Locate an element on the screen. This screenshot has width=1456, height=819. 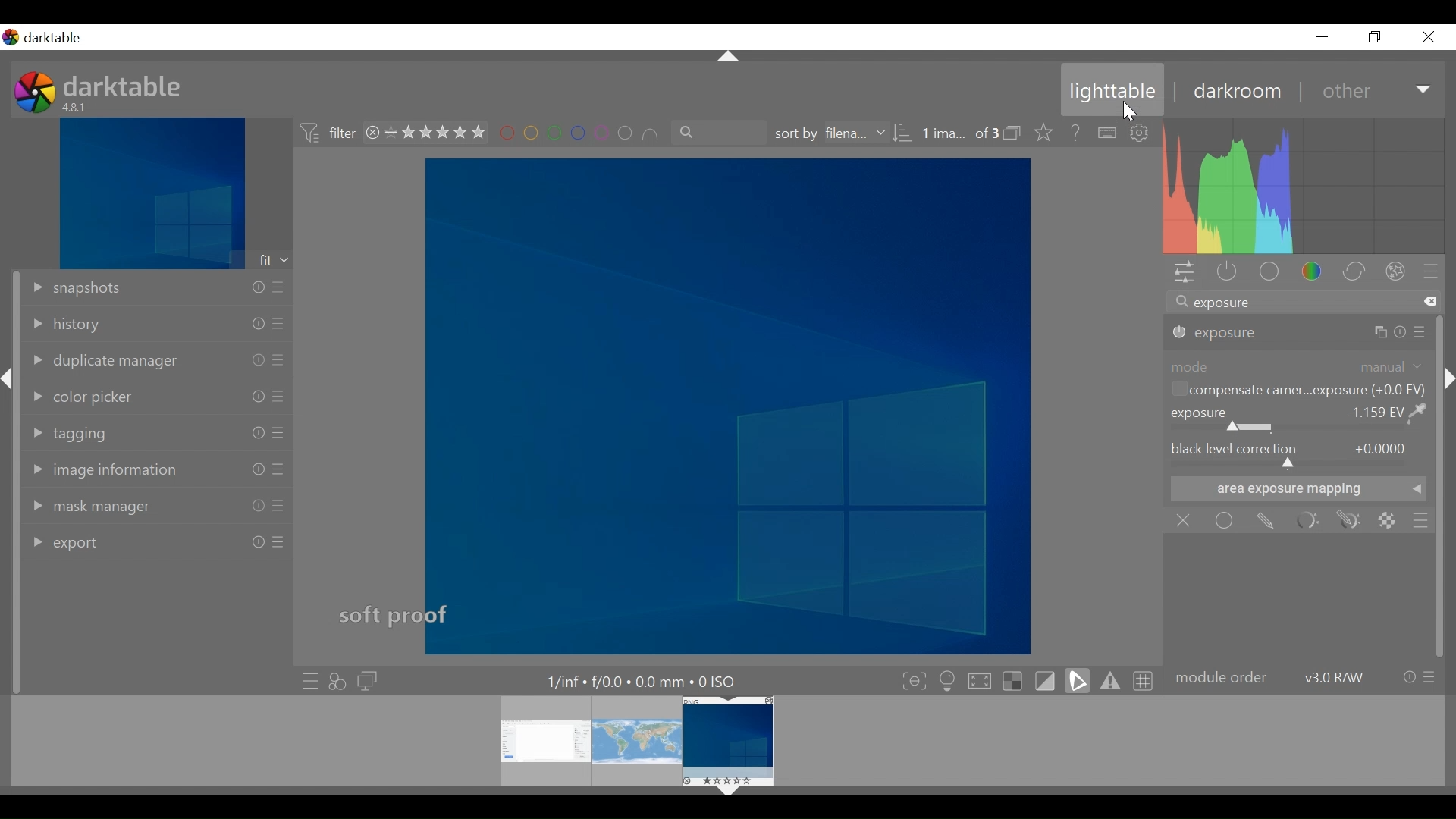
info is located at coordinates (257, 287).